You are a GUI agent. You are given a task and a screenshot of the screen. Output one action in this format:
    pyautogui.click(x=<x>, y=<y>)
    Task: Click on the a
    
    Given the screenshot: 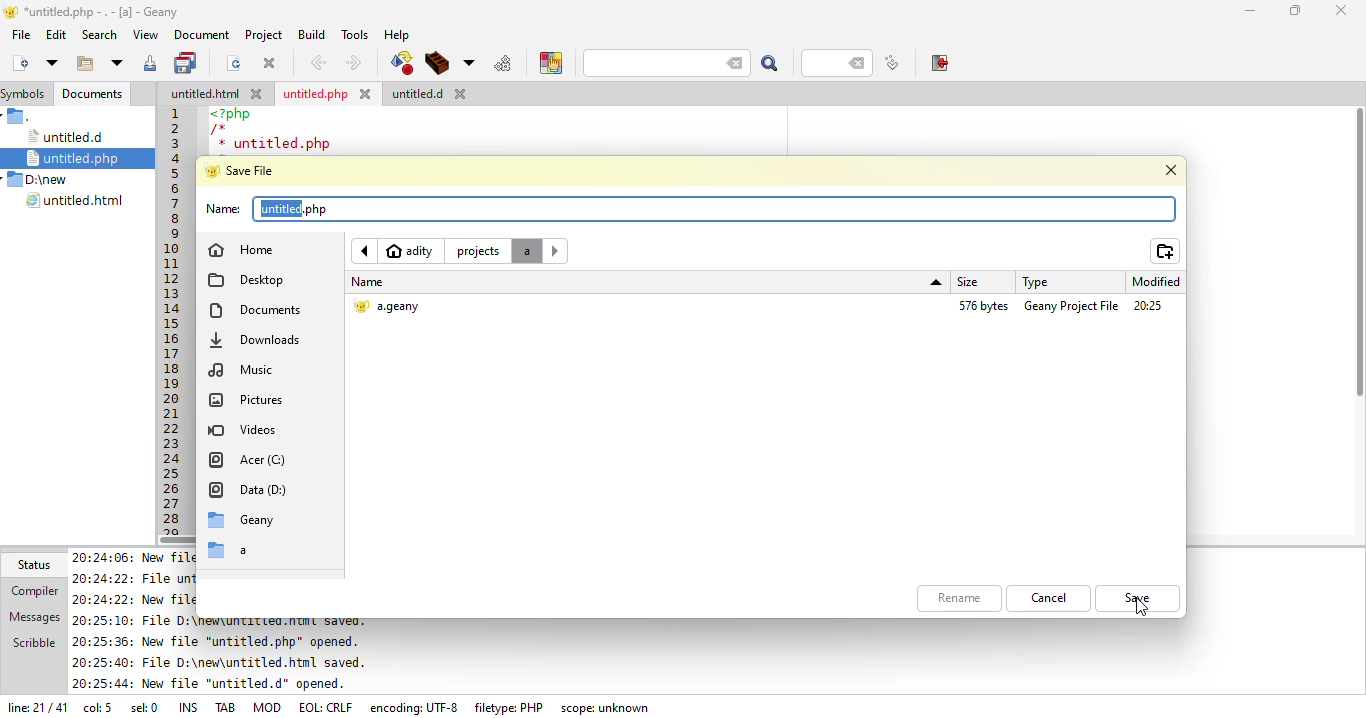 What is the action you would take?
    pyautogui.click(x=527, y=251)
    